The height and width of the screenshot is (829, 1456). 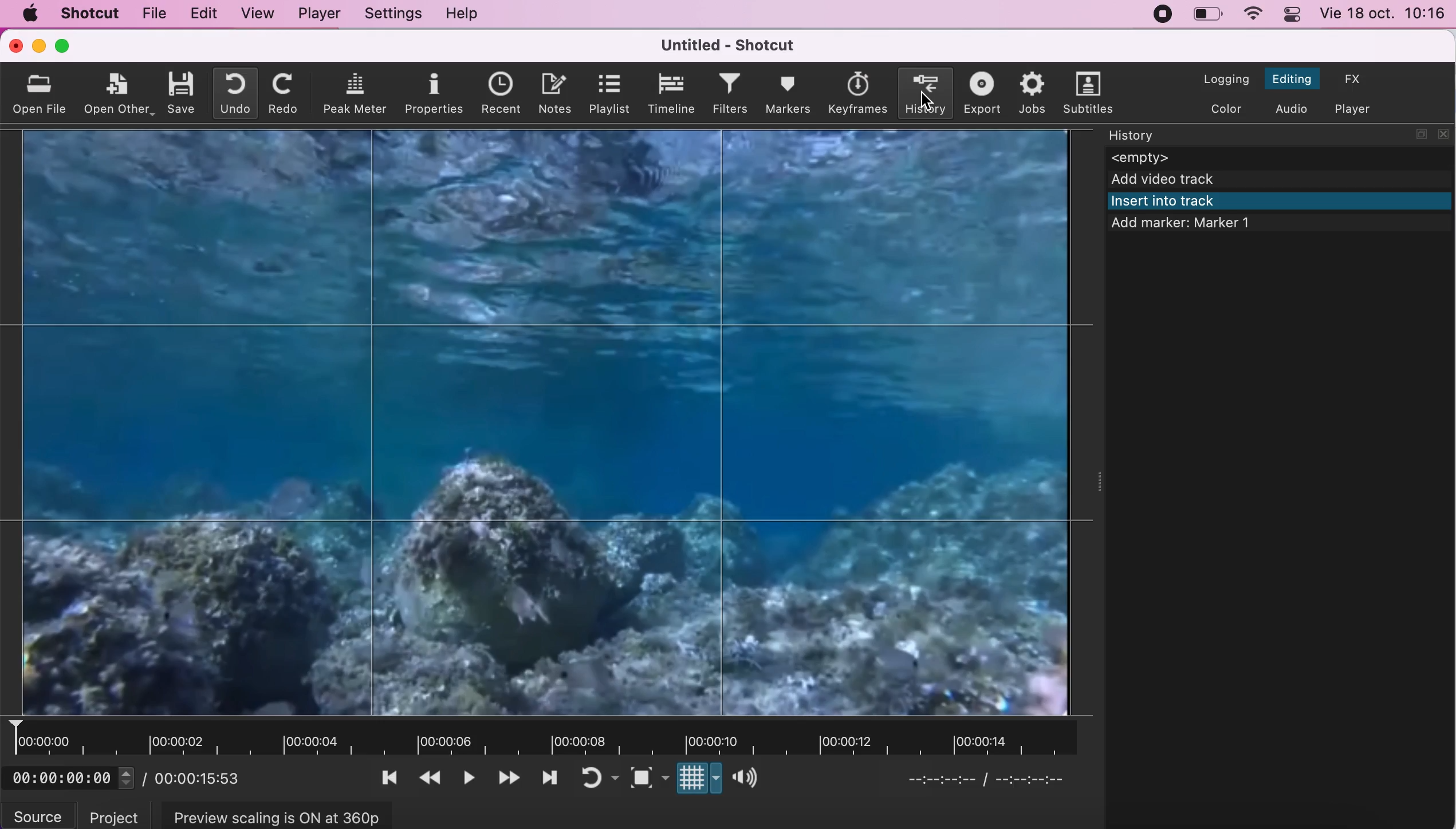 What do you see at coordinates (11, 46) in the screenshot?
I see `close` at bounding box center [11, 46].